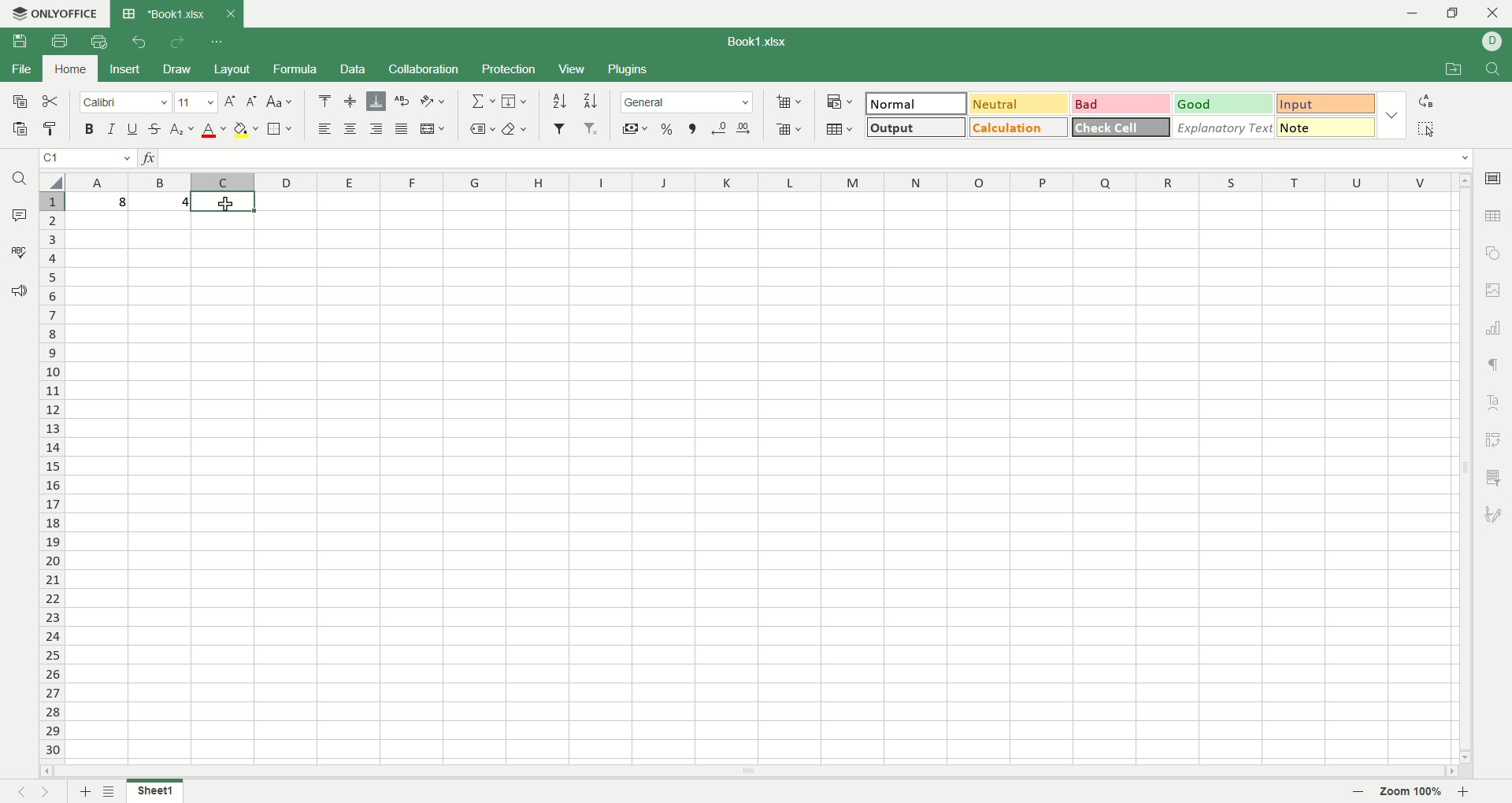 This screenshot has width=1512, height=803. Describe the element at coordinates (1495, 288) in the screenshot. I see `image settings` at that location.